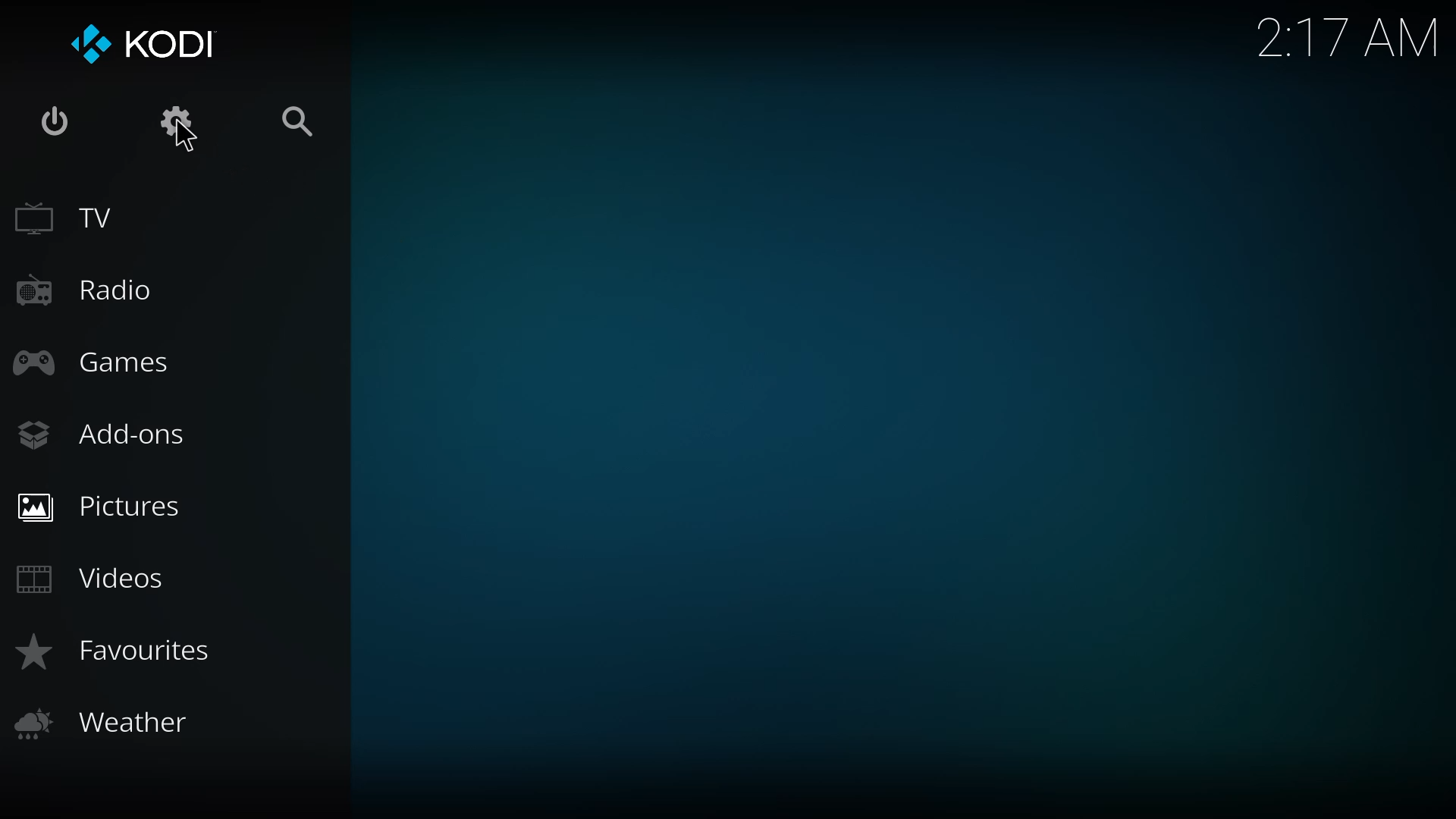  I want to click on power, so click(55, 122).